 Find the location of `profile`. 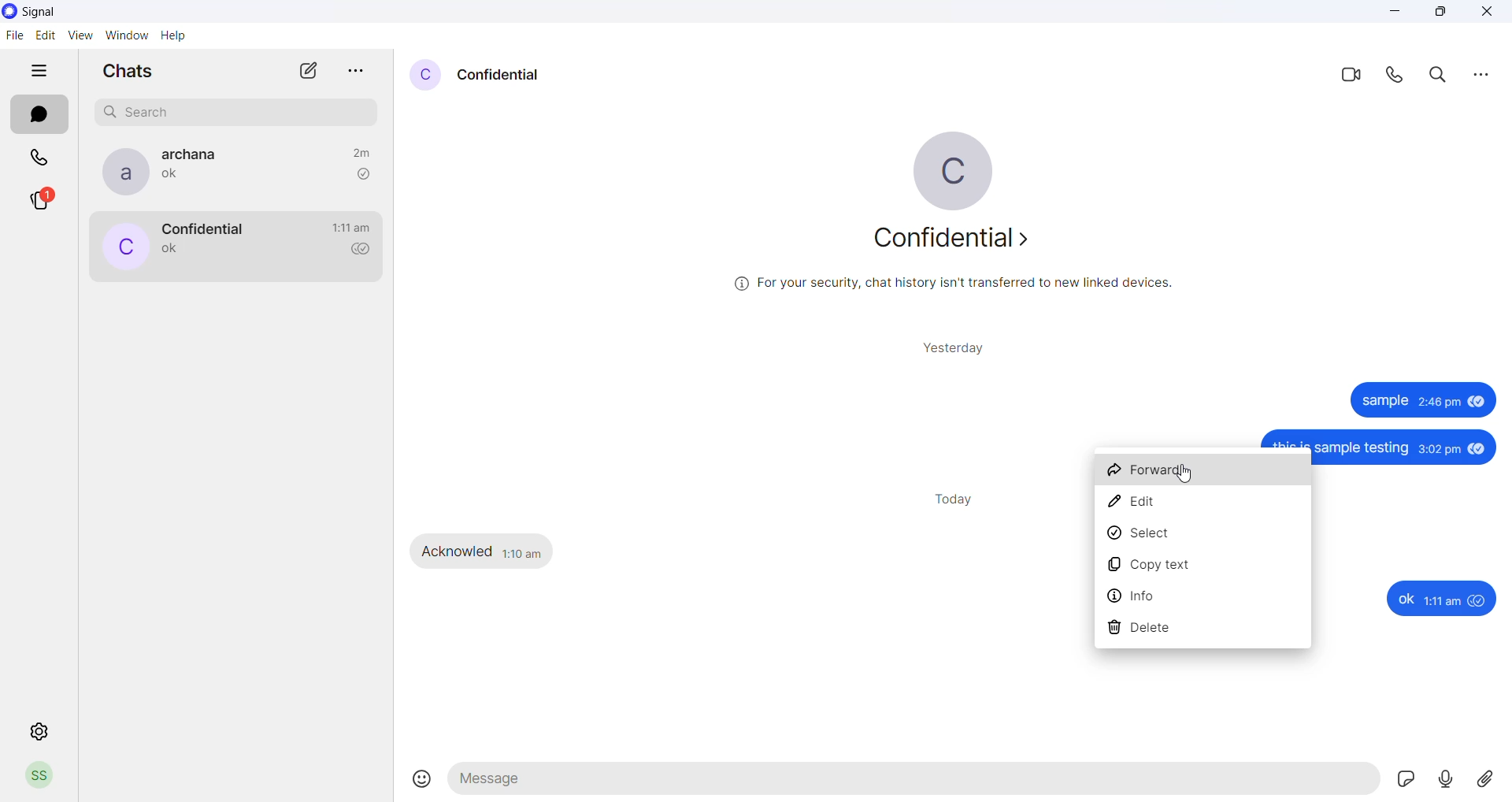

profile is located at coordinates (39, 778).